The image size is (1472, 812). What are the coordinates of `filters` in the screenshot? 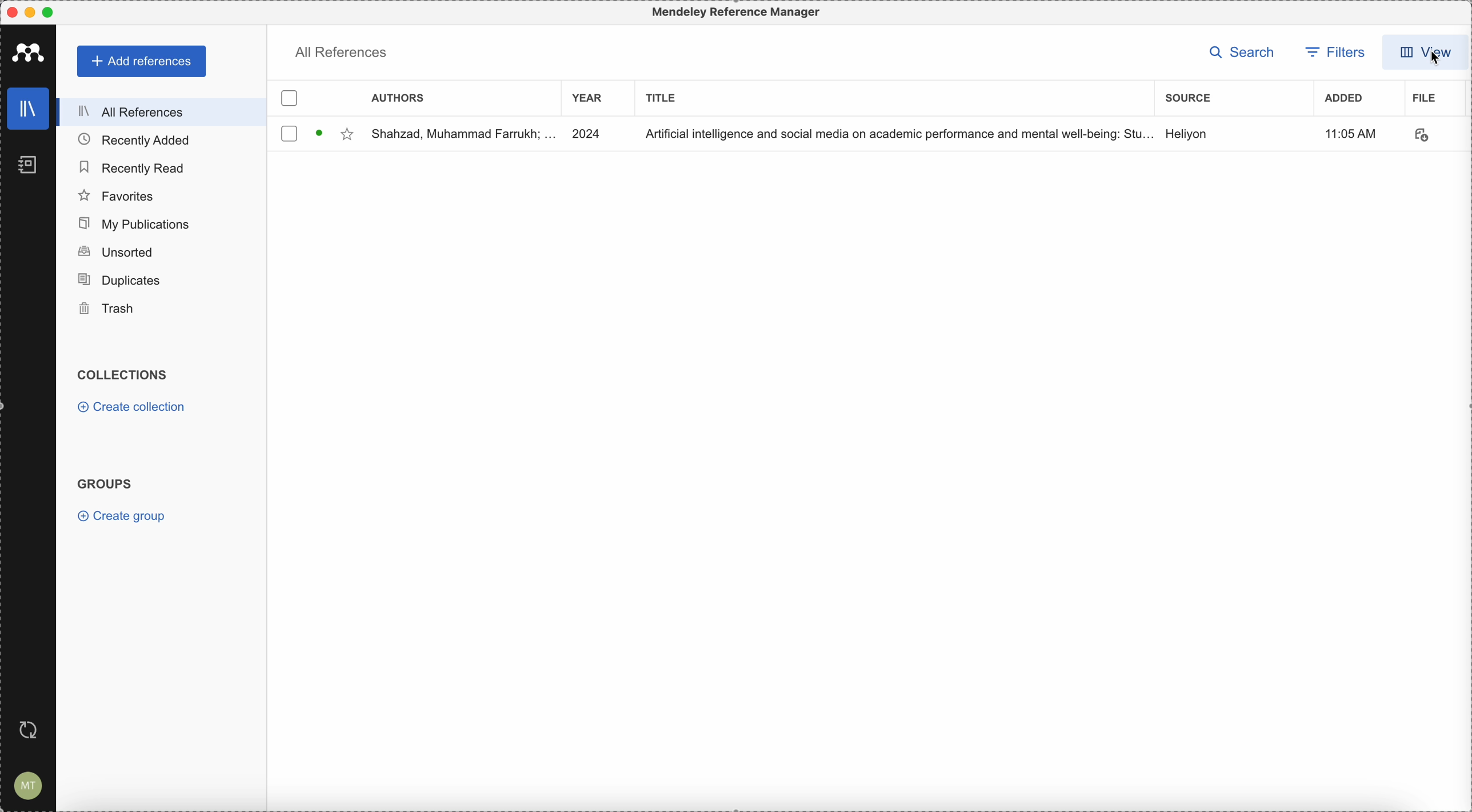 It's located at (1337, 52).